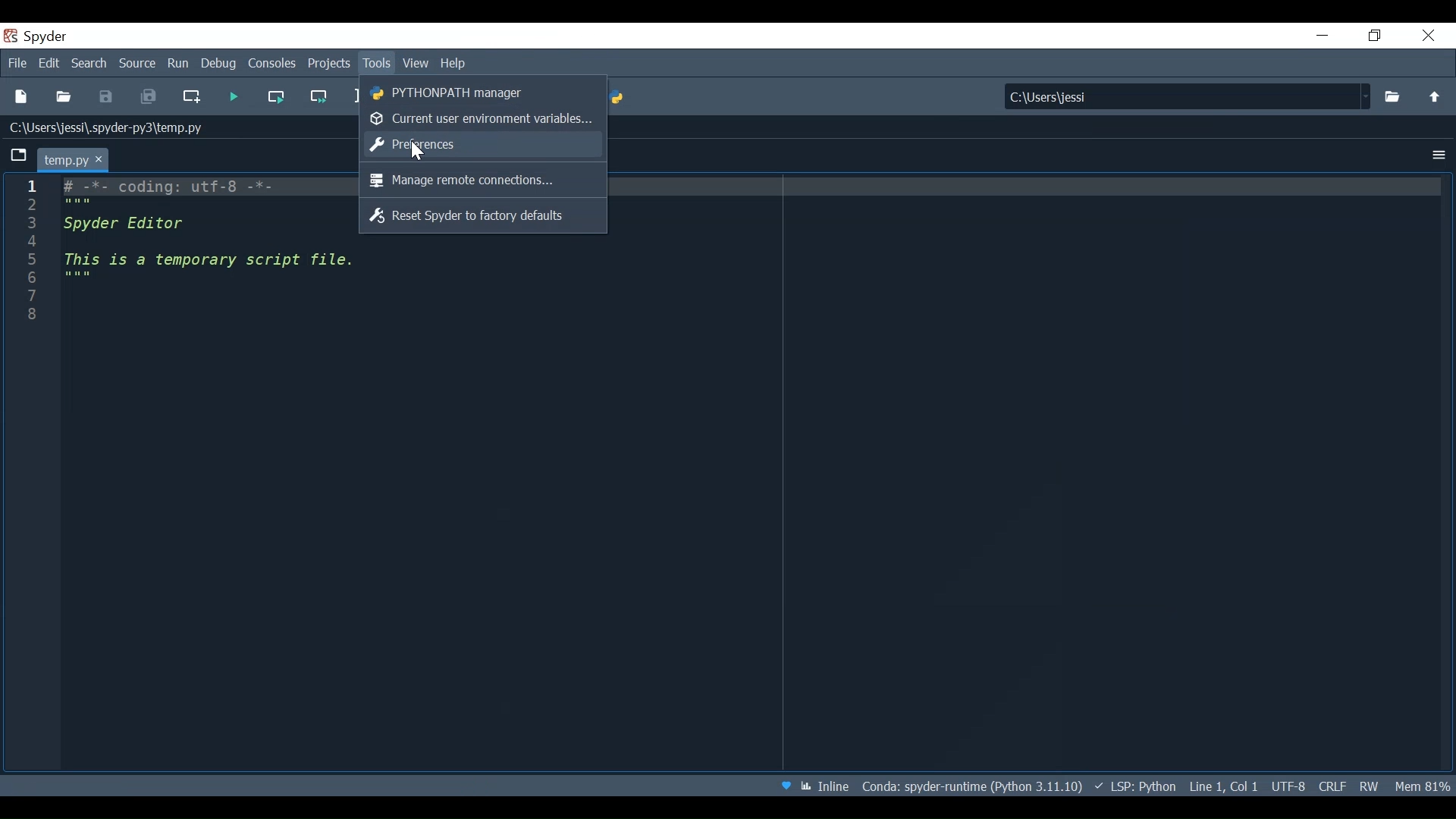  Describe the element at coordinates (149, 97) in the screenshot. I see `Save all Files` at that location.